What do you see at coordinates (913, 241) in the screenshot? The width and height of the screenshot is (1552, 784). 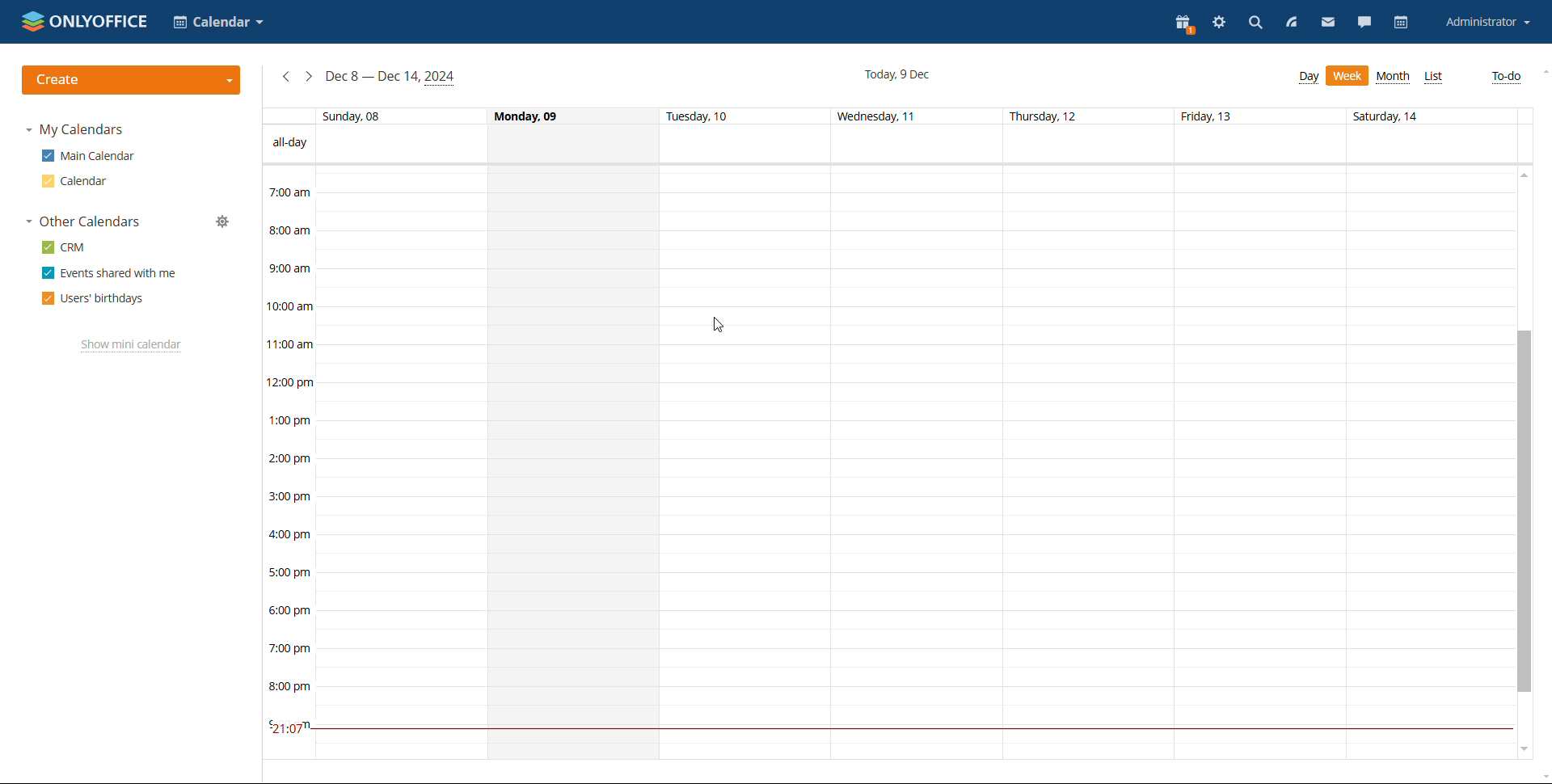 I see `30 min span of time` at bounding box center [913, 241].